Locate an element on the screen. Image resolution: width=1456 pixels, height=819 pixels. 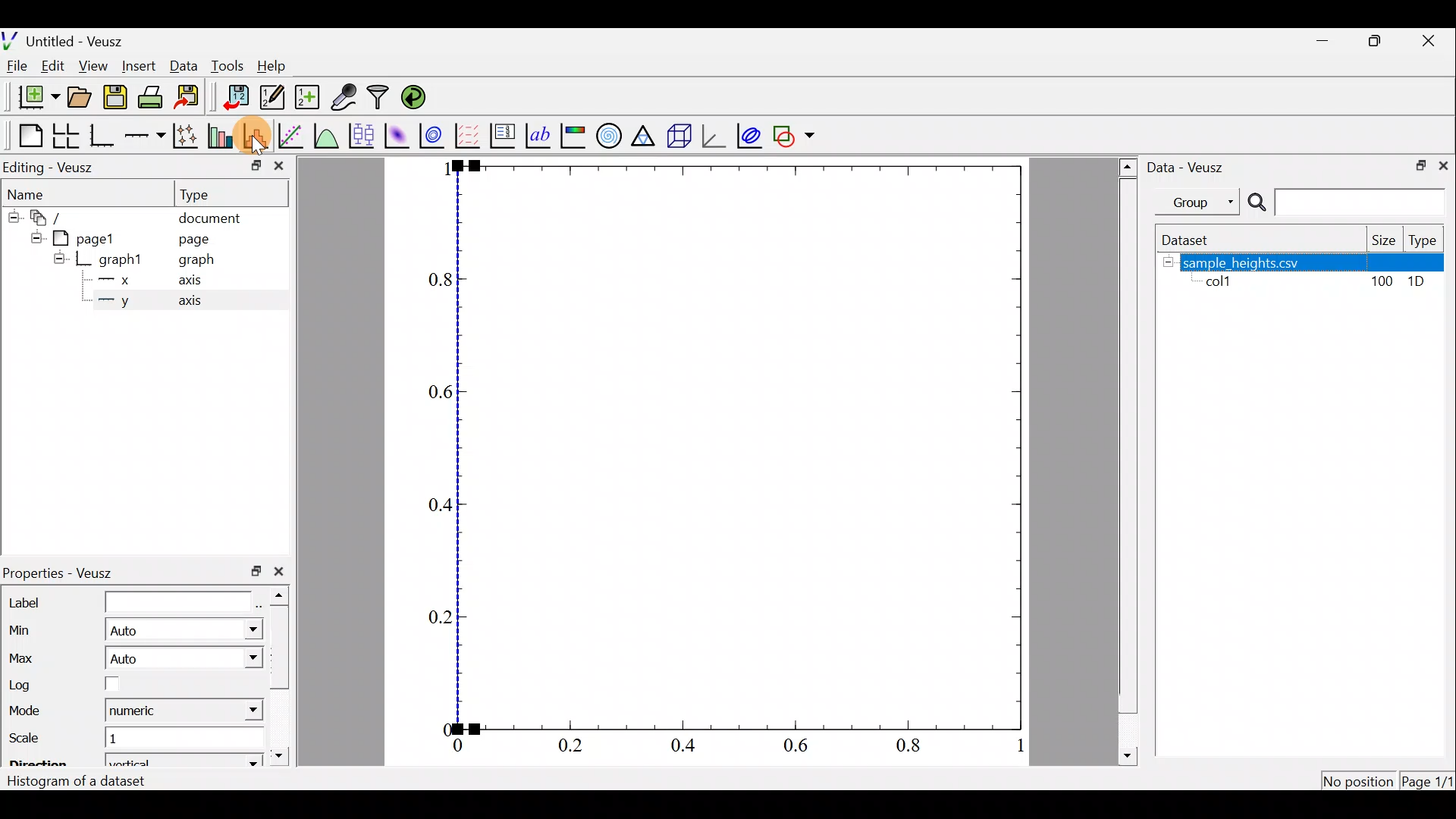
polar graph is located at coordinates (610, 135).